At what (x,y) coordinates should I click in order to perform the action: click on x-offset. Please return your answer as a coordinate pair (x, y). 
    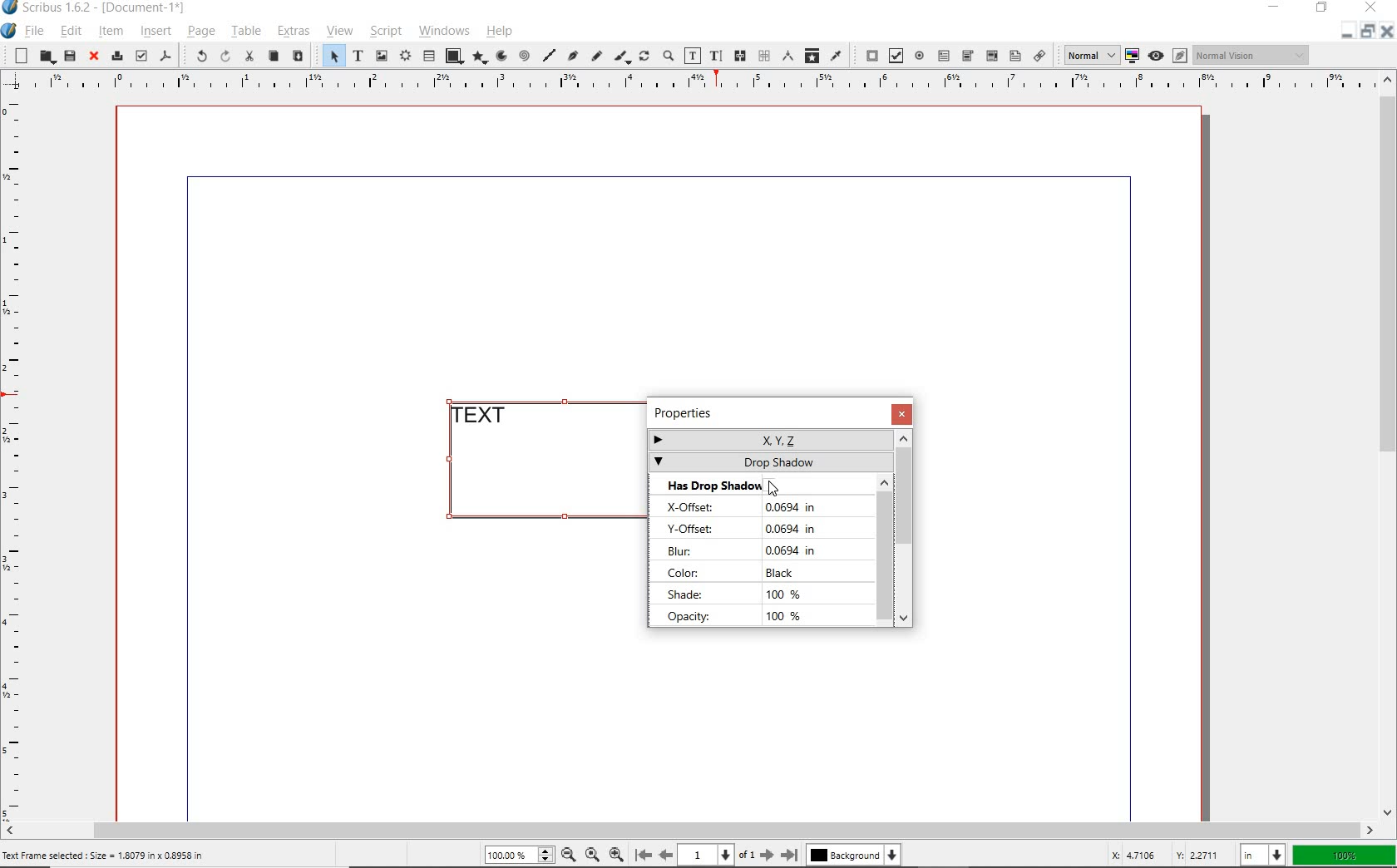
    Looking at the image, I should click on (754, 506).